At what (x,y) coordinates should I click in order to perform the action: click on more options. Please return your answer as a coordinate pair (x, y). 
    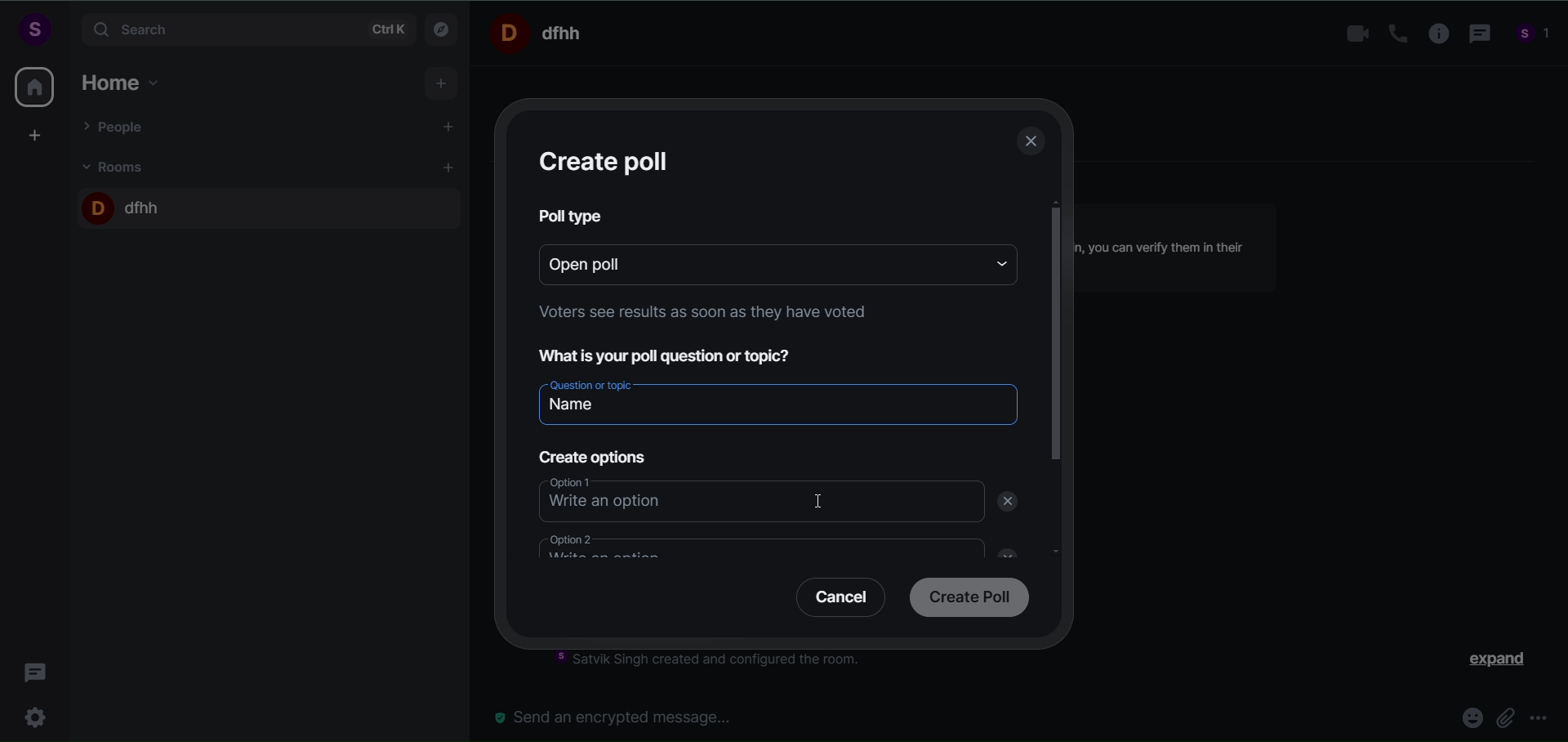
    Looking at the image, I should click on (1539, 720).